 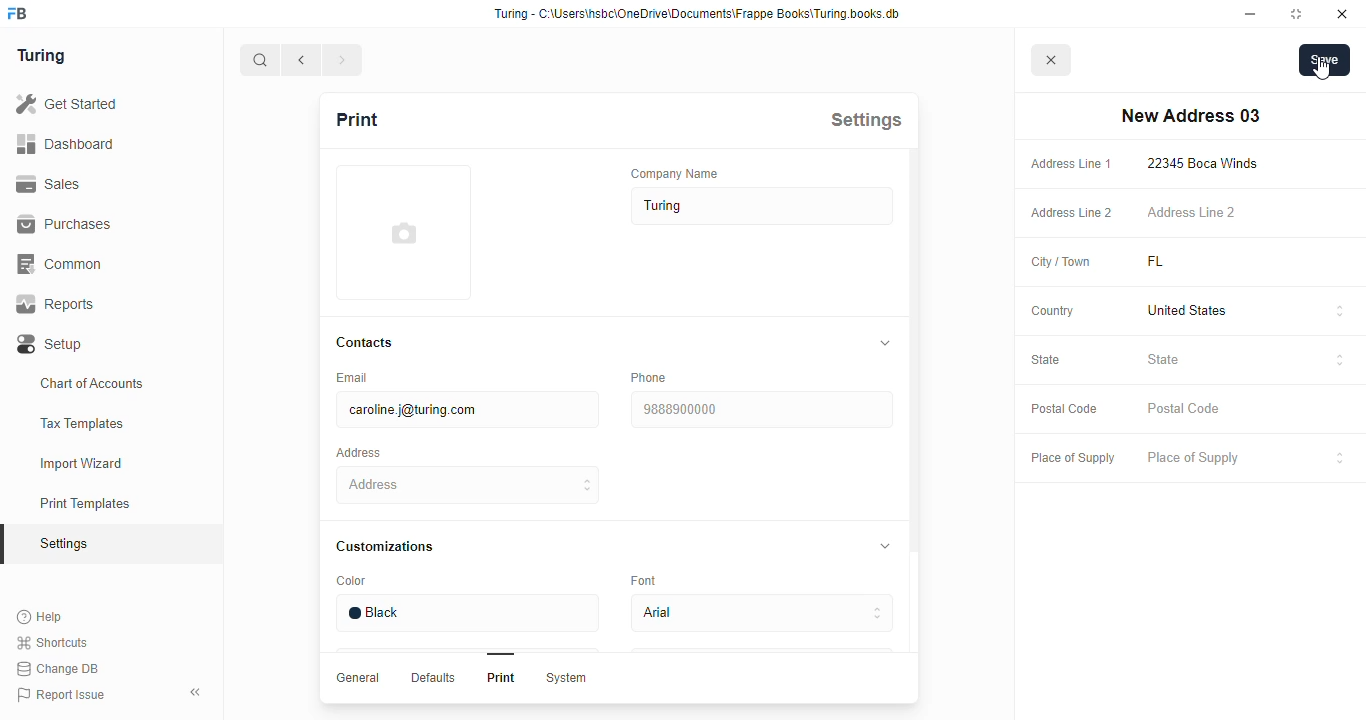 What do you see at coordinates (1342, 14) in the screenshot?
I see `close` at bounding box center [1342, 14].